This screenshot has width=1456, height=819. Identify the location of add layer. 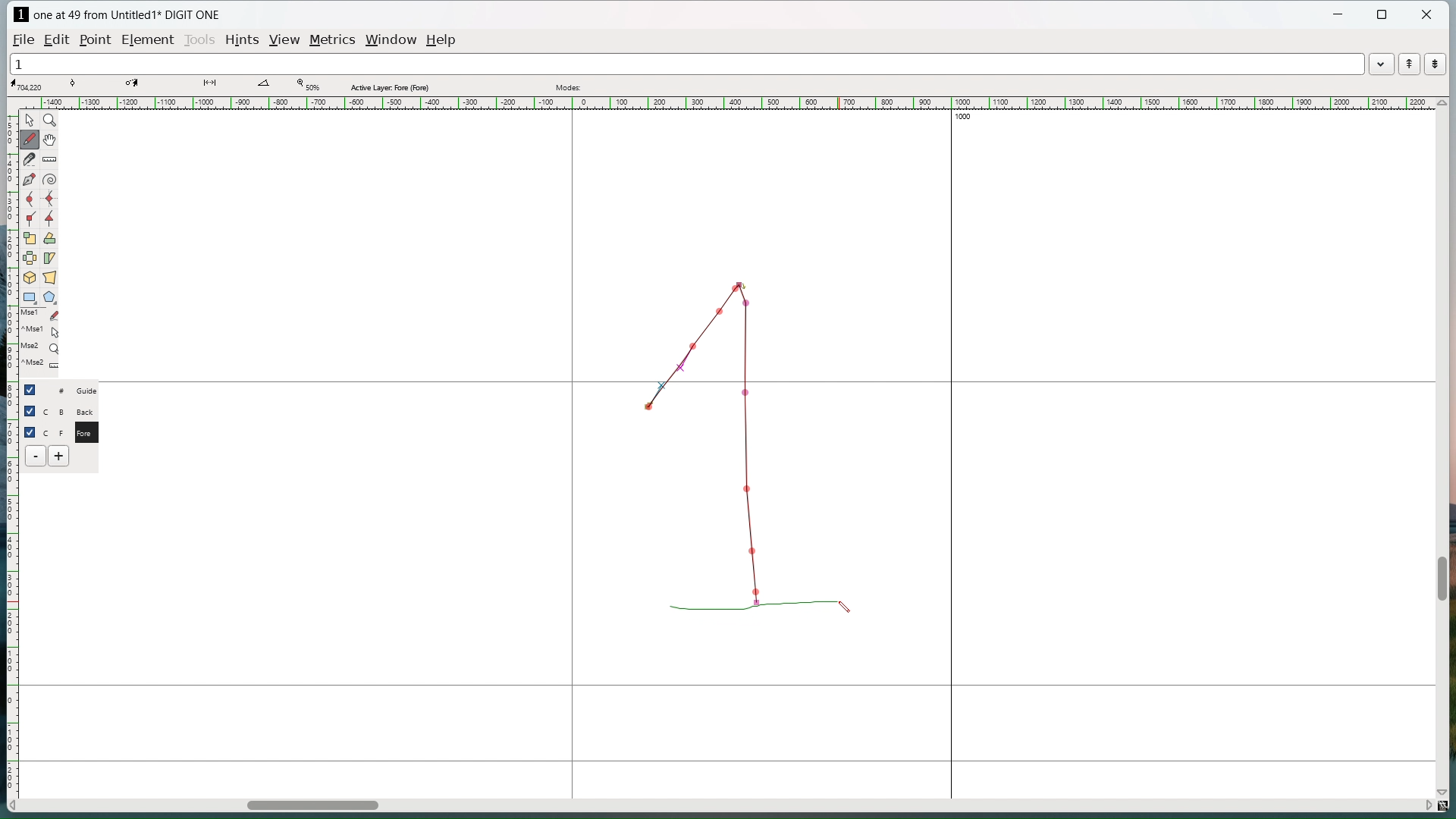
(60, 456).